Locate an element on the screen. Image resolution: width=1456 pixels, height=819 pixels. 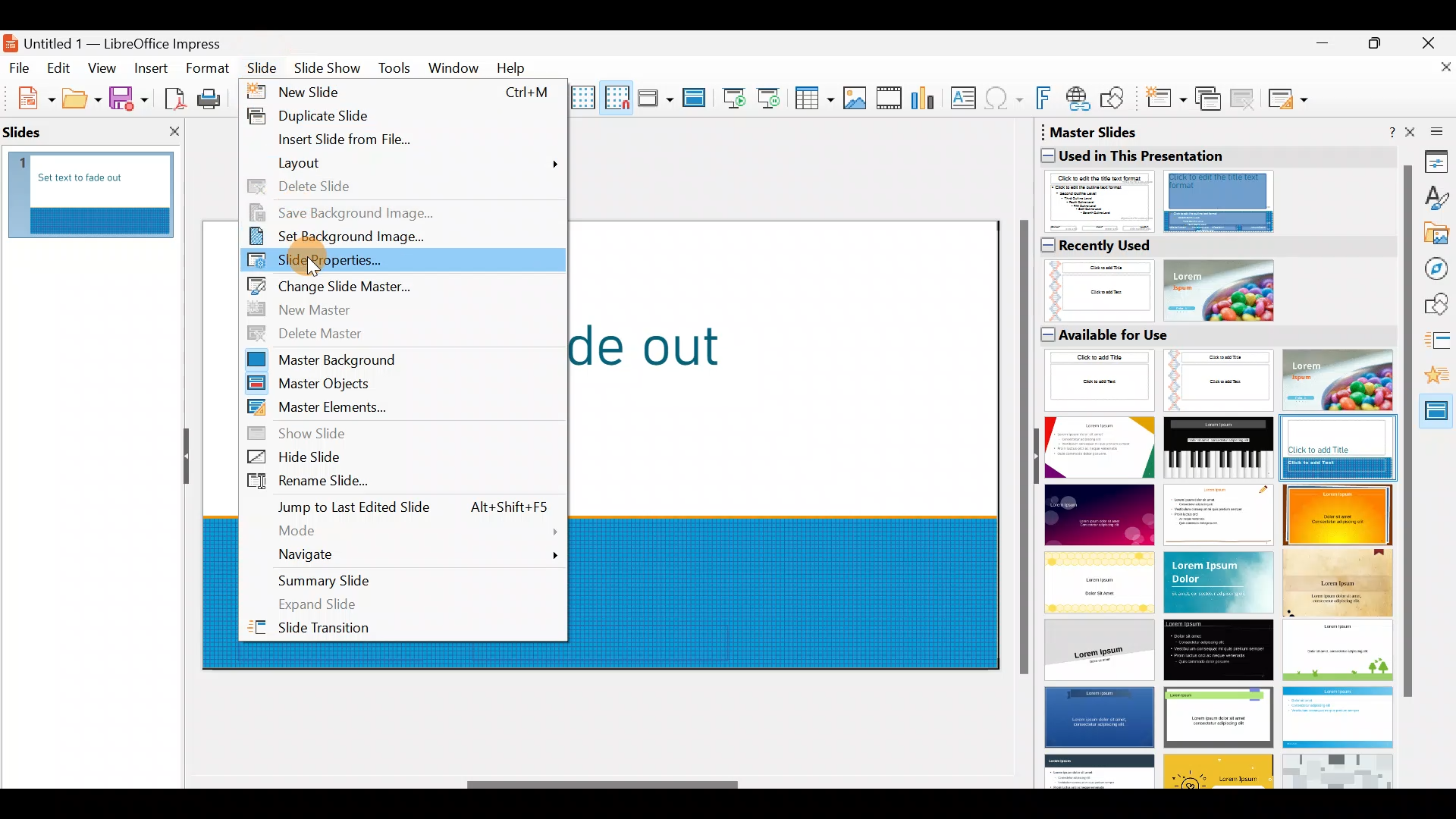
Navigate is located at coordinates (406, 552).